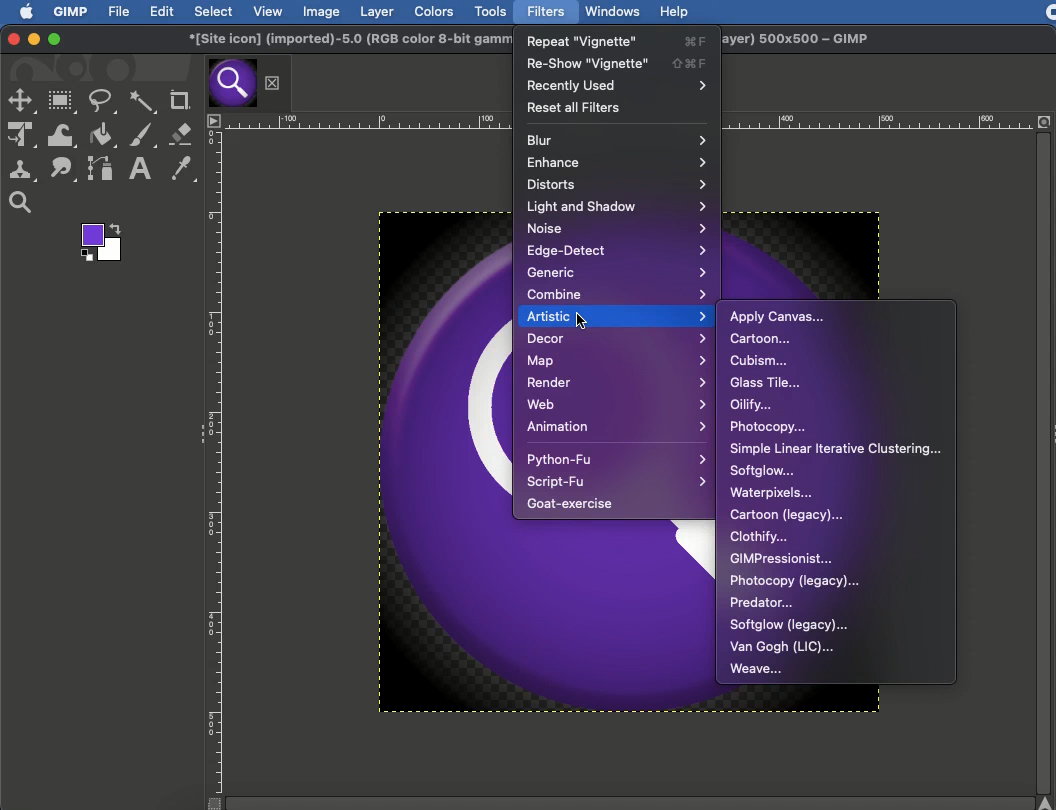  Describe the element at coordinates (103, 102) in the screenshot. I see `Freeform selection` at that location.